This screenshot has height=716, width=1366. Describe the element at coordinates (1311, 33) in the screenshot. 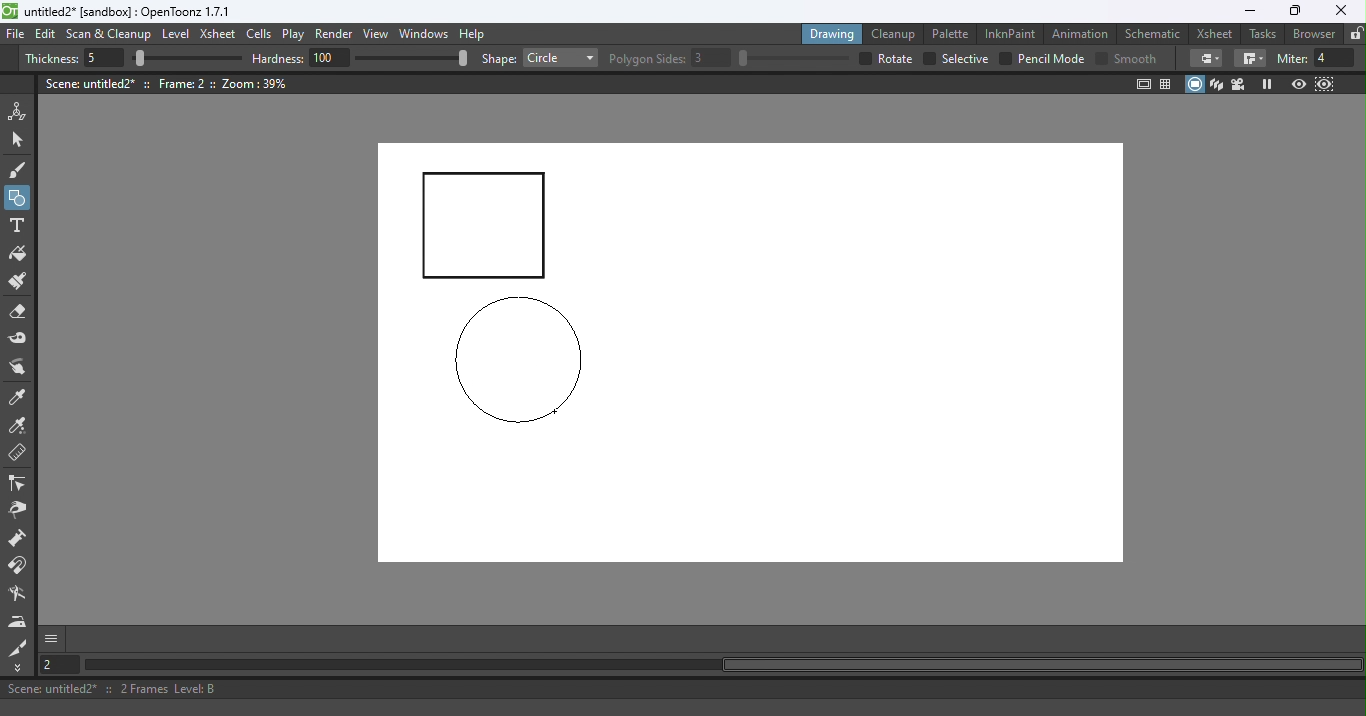

I see `Browser` at that location.